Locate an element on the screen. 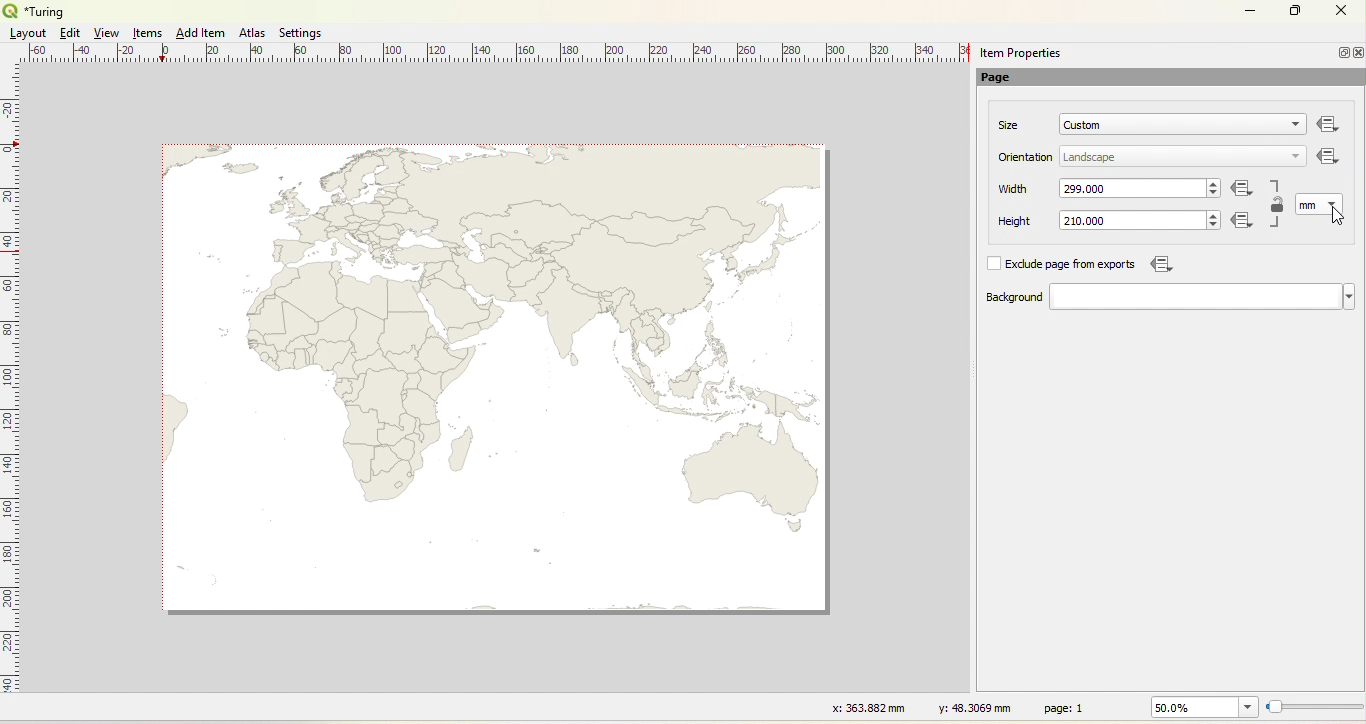 The height and width of the screenshot is (724, 1366). Map is located at coordinates (492, 377).